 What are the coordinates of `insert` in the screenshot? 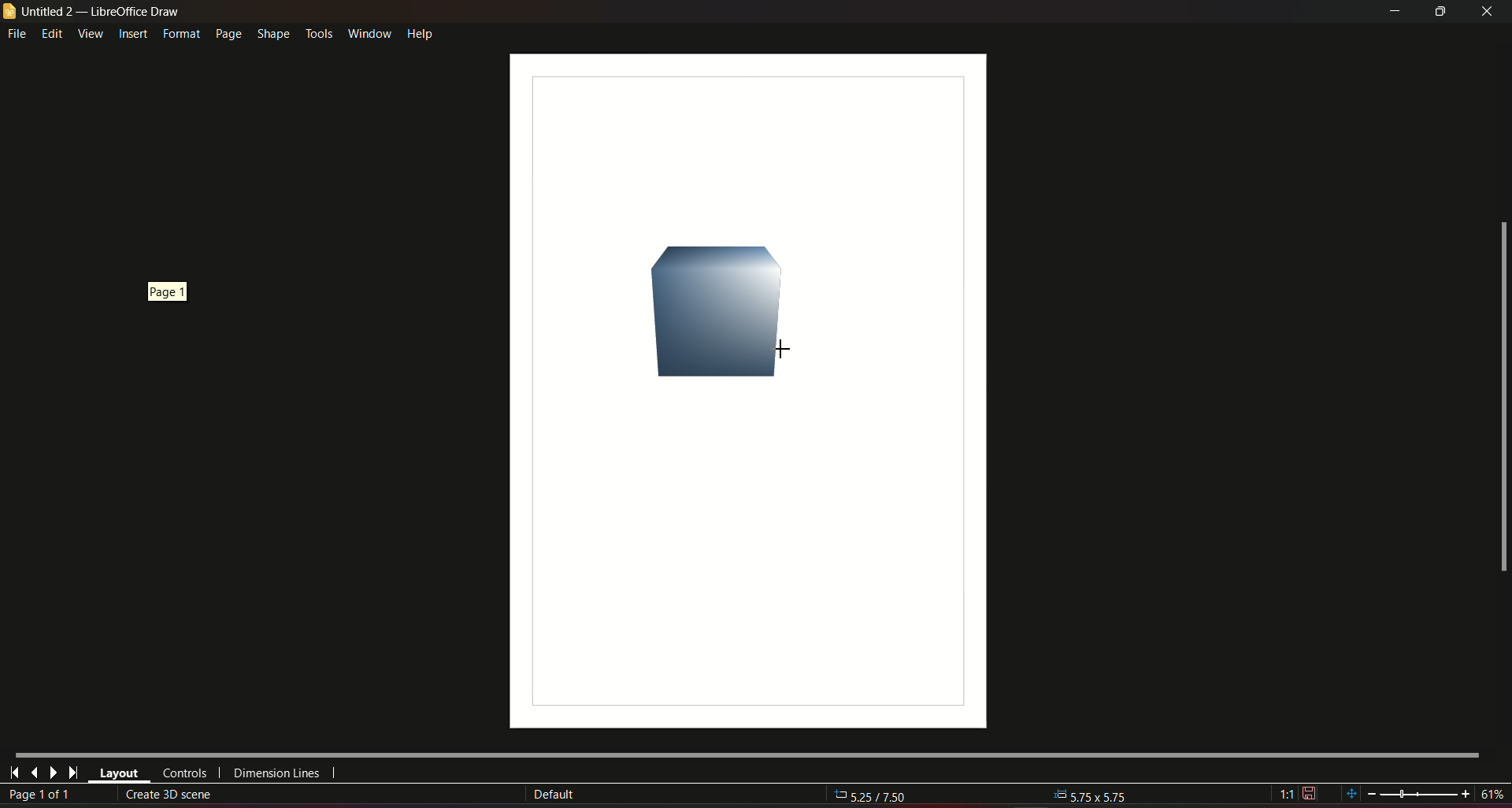 It's located at (132, 35).